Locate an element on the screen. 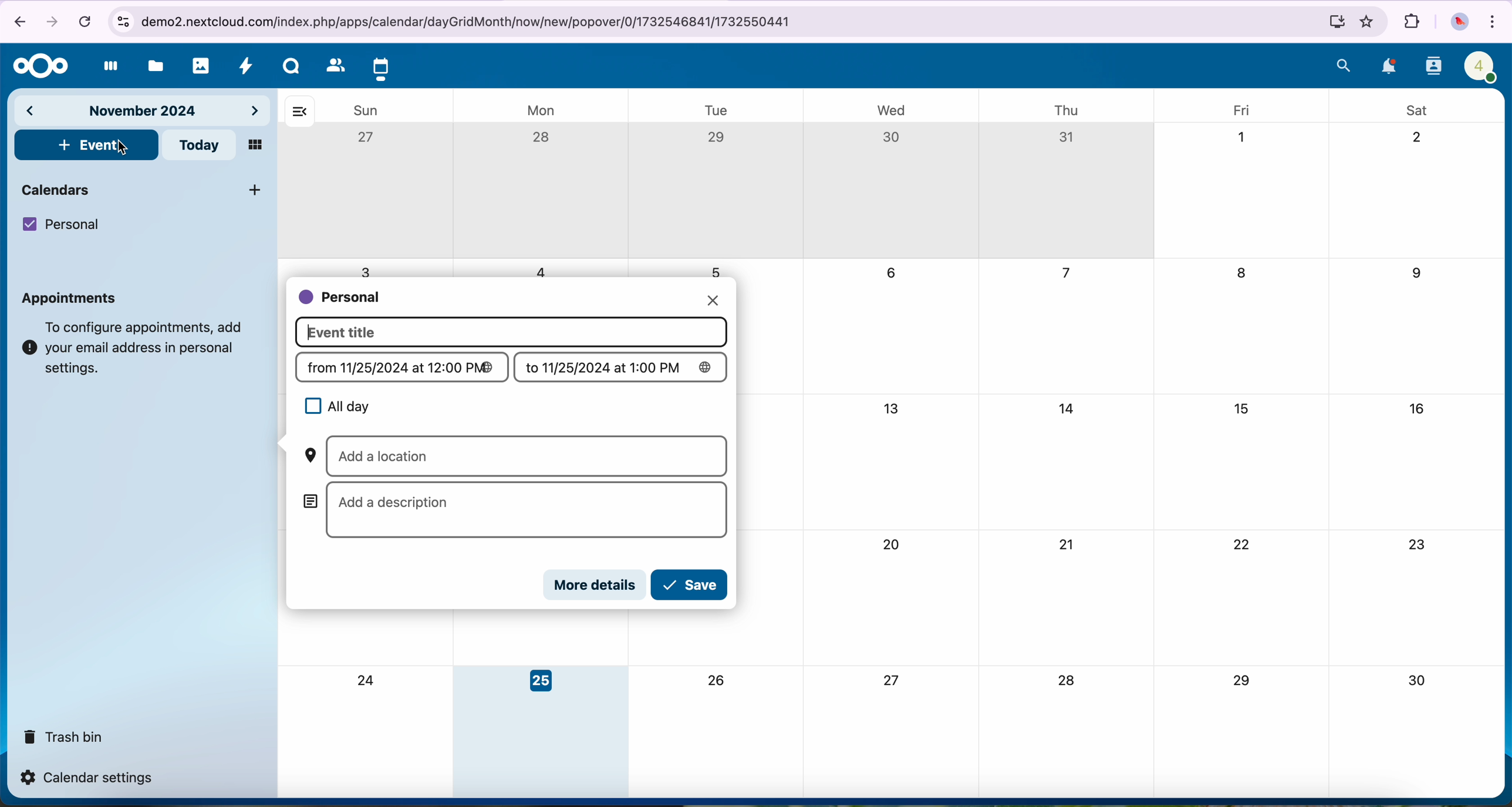 Image resolution: width=1512 pixels, height=807 pixels. day 25 selected is located at coordinates (541, 732).